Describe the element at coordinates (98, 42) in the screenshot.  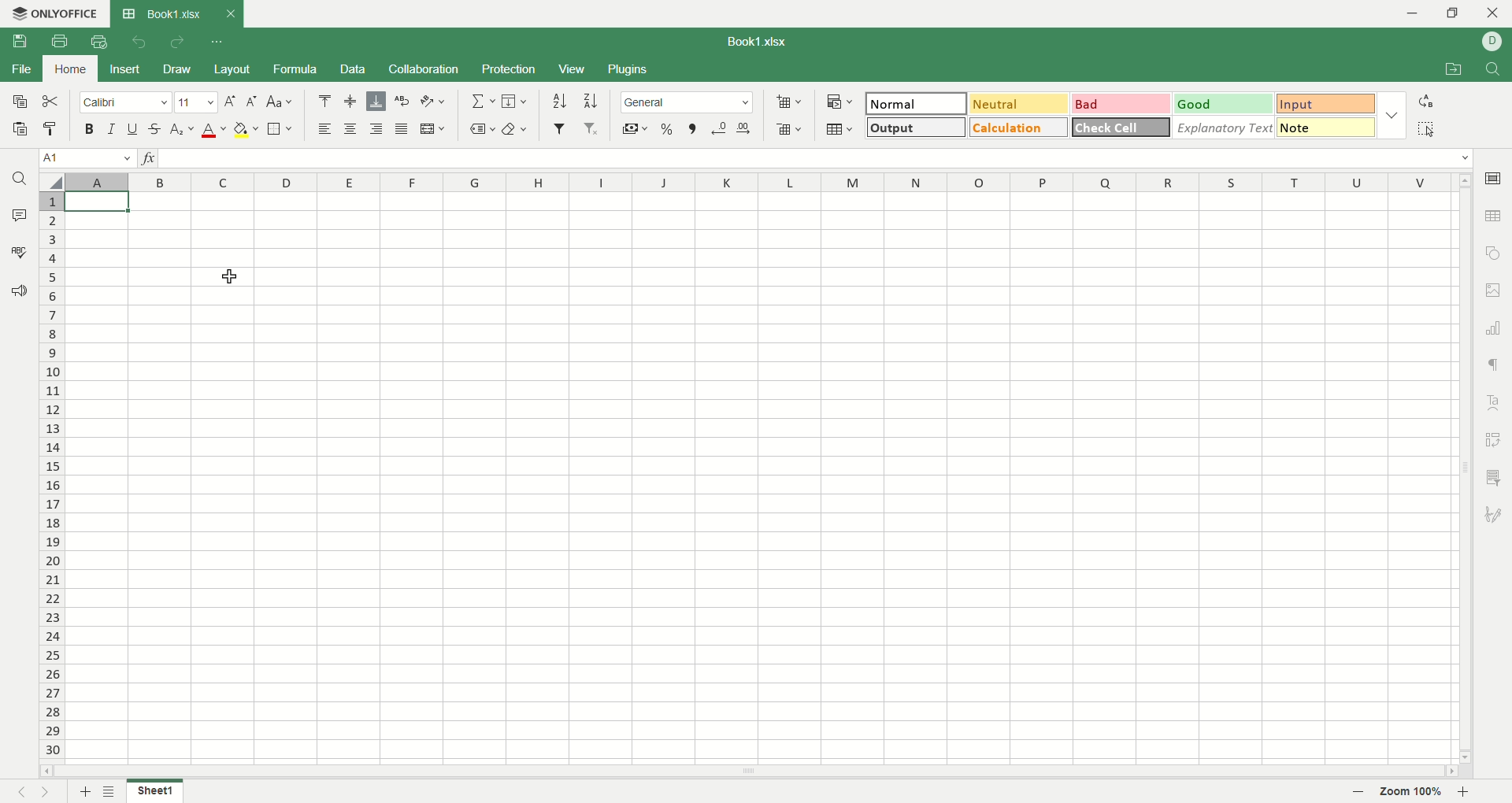
I see `quick print` at that location.